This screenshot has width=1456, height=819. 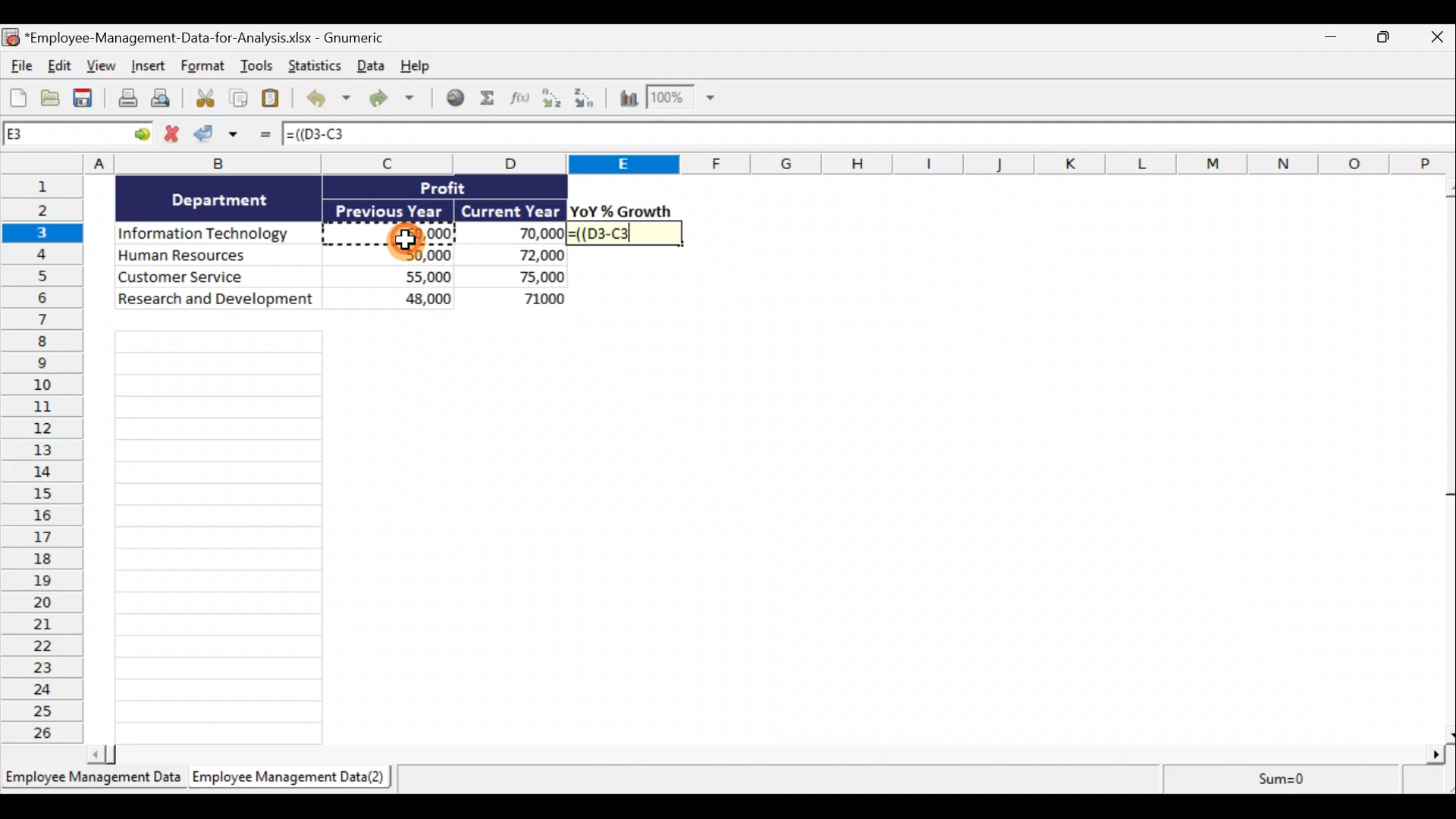 What do you see at coordinates (553, 100) in the screenshot?
I see `Sort Ascending` at bounding box center [553, 100].